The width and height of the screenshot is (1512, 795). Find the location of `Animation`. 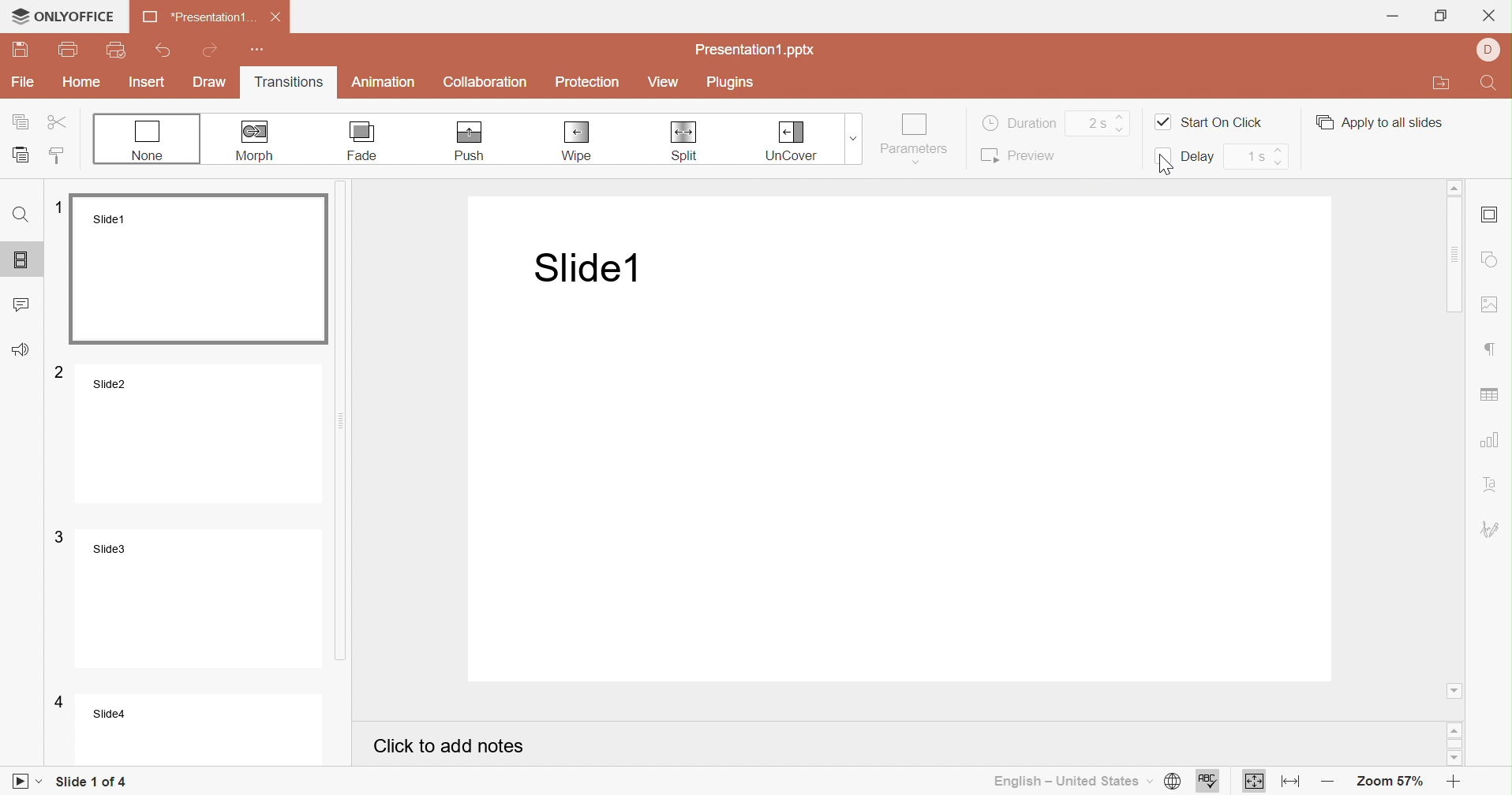

Animation is located at coordinates (384, 84).